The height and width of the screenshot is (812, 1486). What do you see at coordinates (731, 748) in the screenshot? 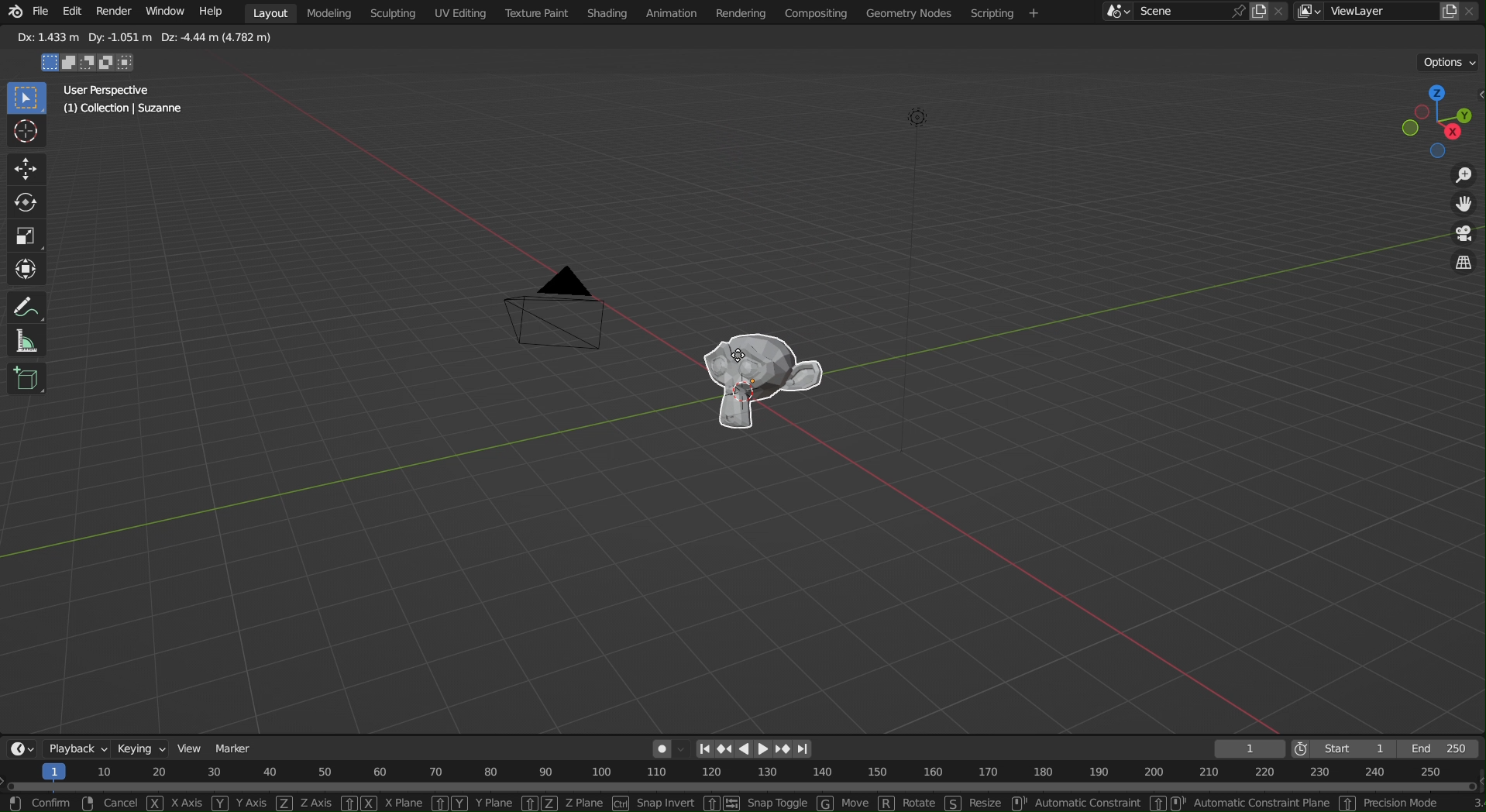
I see `previous` at bounding box center [731, 748].